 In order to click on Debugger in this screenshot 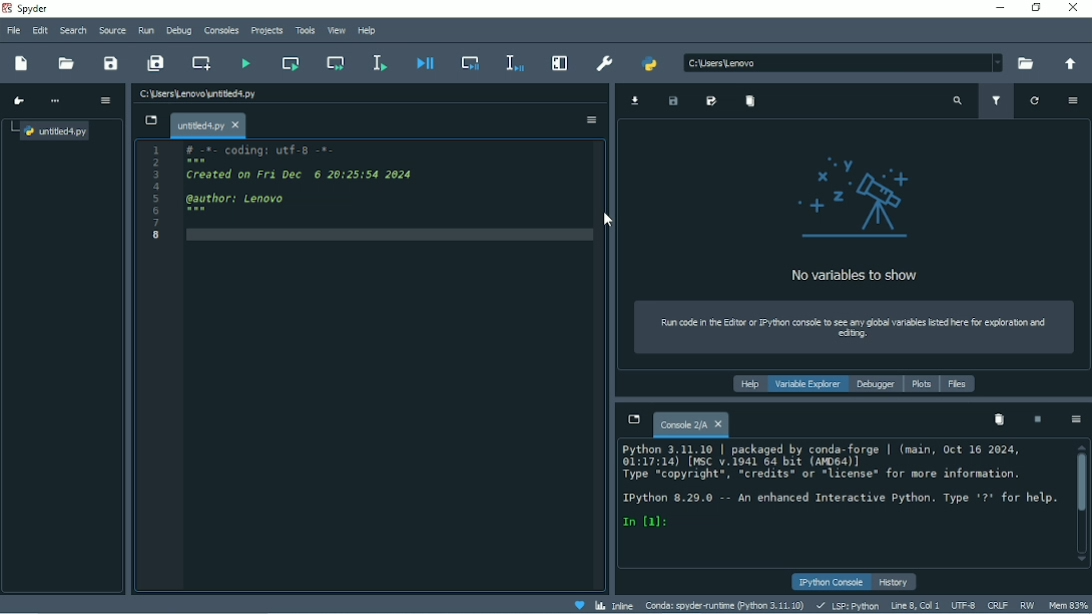, I will do `click(877, 385)`.